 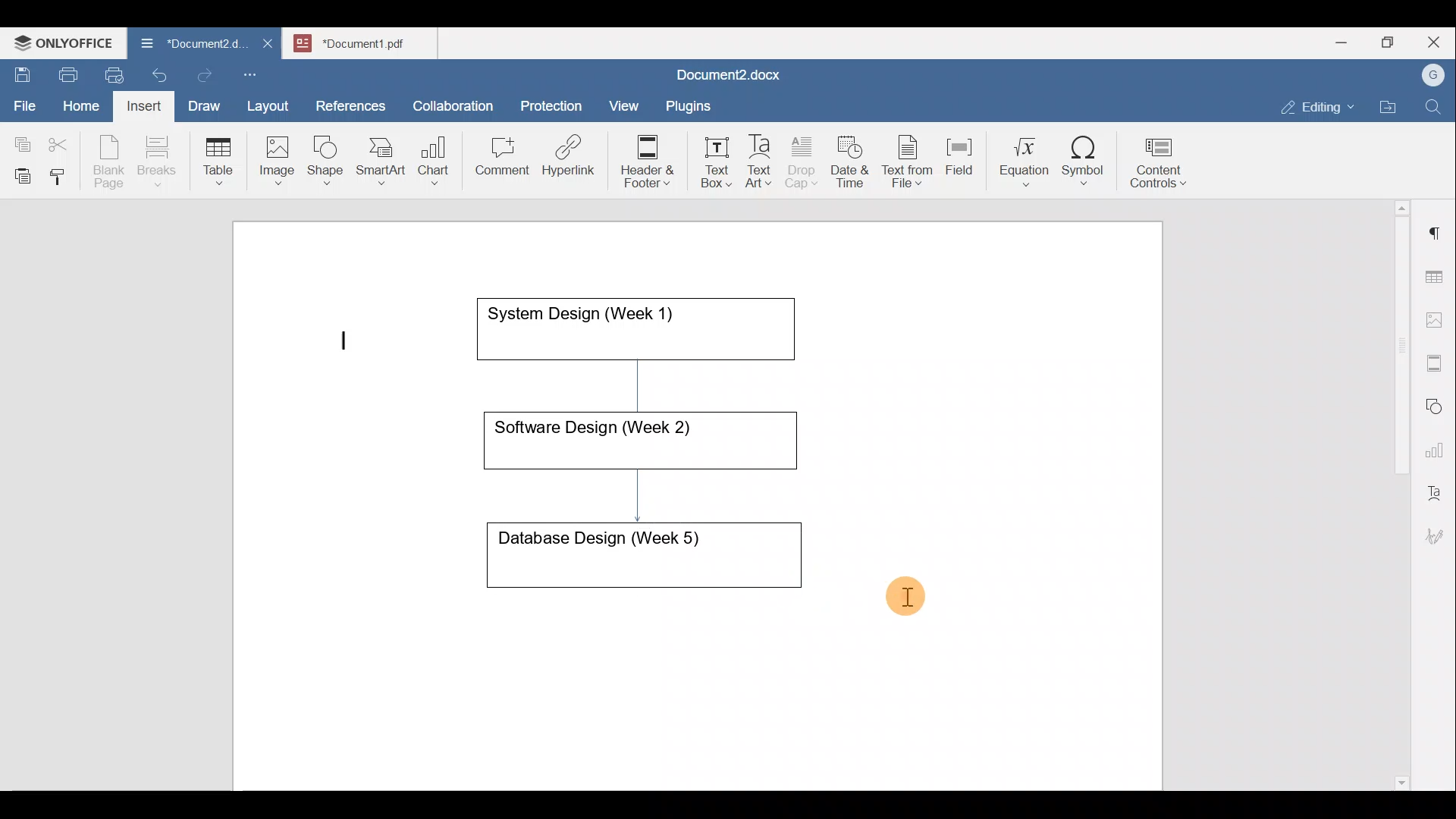 I want to click on Chart settings, so click(x=1438, y=444).